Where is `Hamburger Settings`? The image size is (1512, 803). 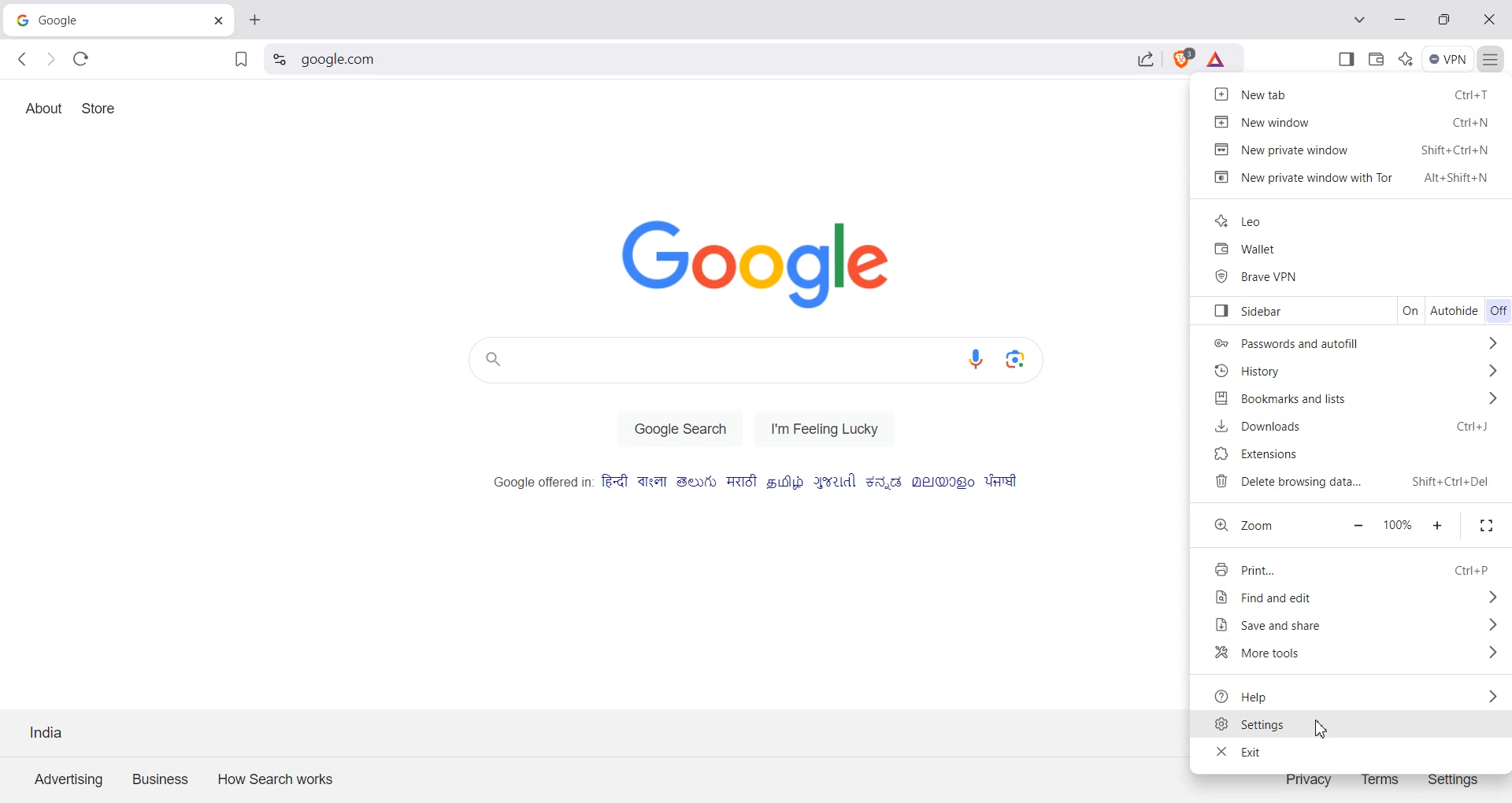 Hamburger Settings is located at coordinates (1494, 58).